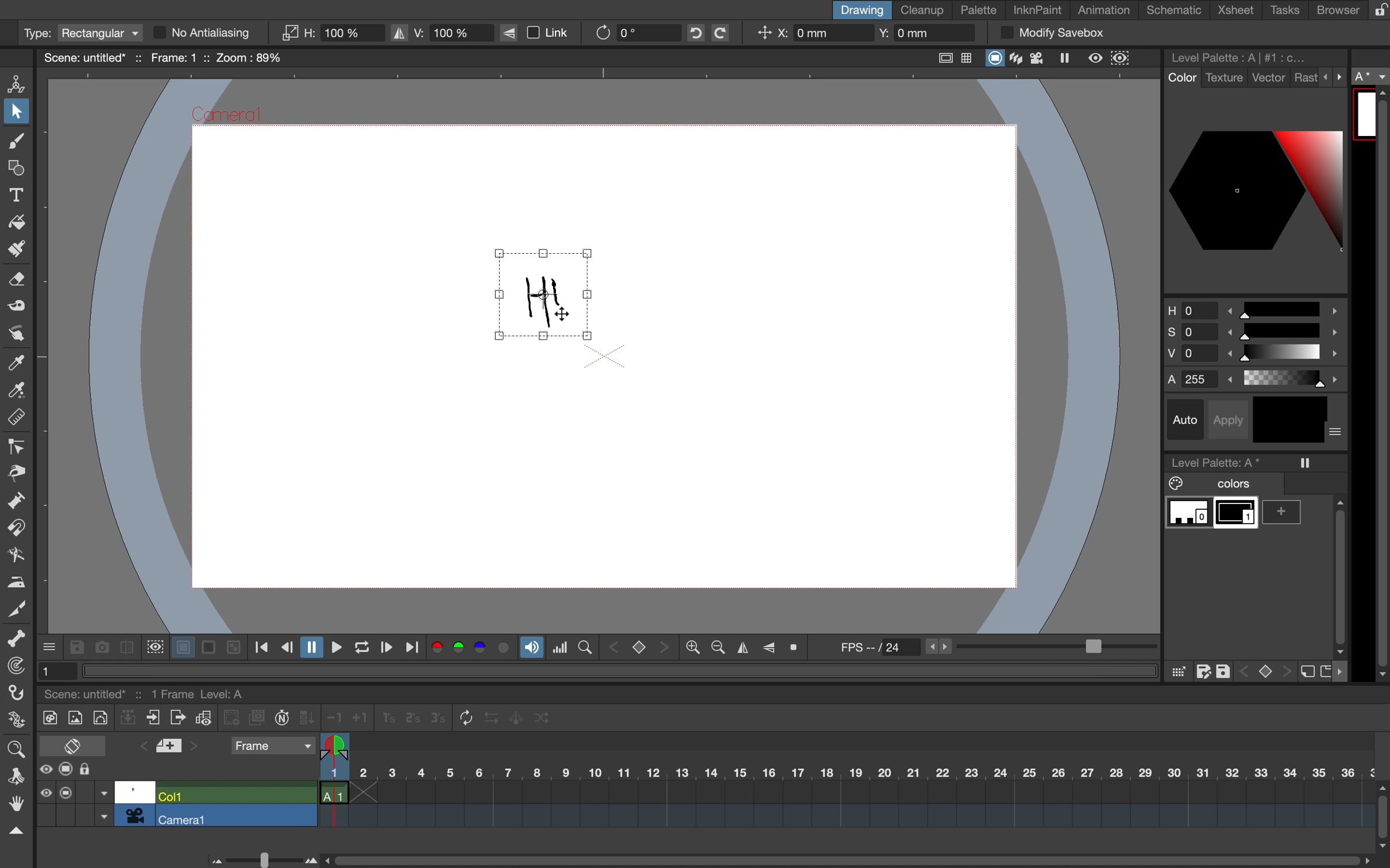 The image size is (1390, 868). What do you see at coordinates (585, 646) in the screenshot?
I see `locator` at bounding box center [585, 646].